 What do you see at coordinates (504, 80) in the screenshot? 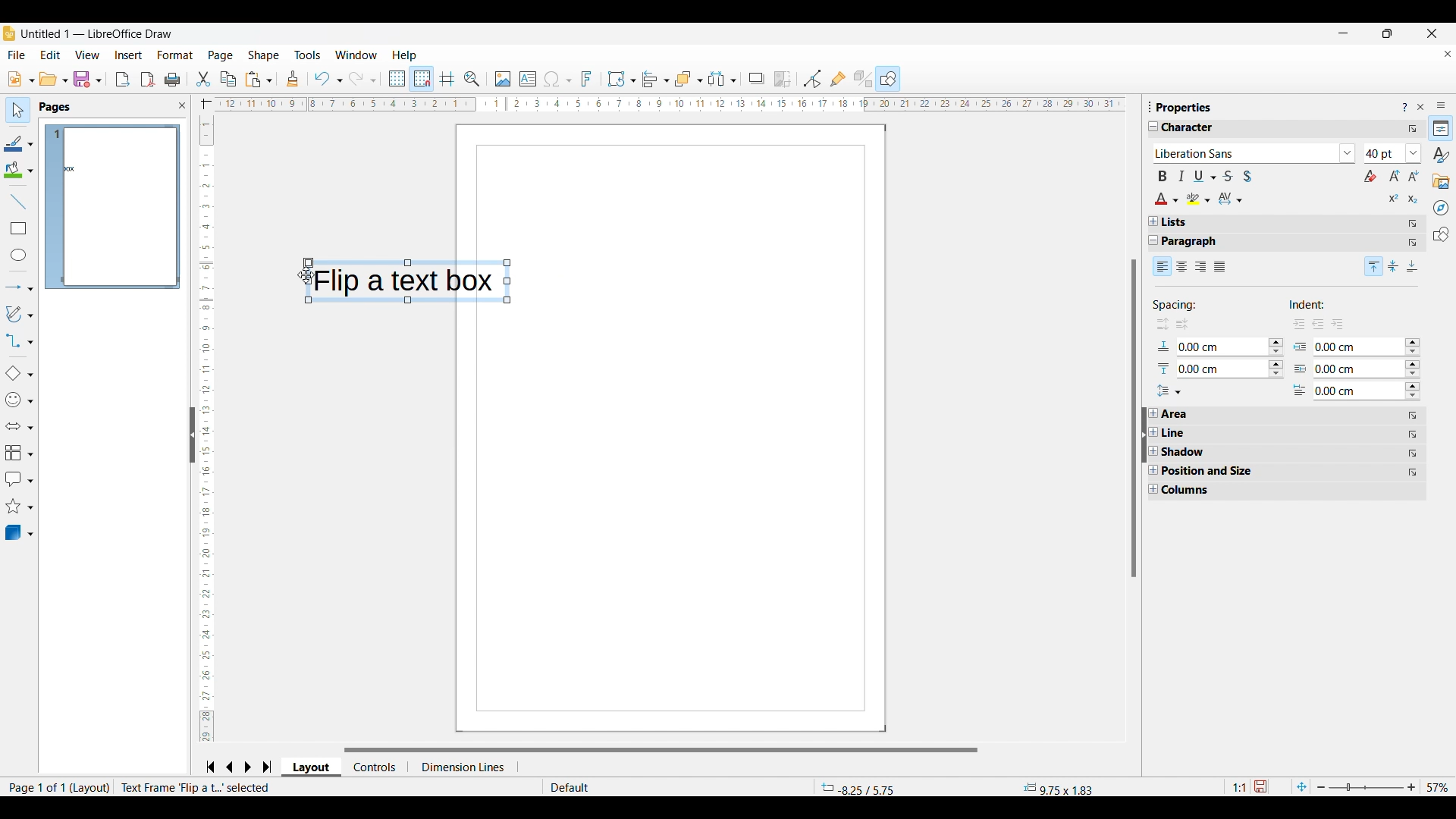
I see `Insert image` at bounding box center [504, 80].